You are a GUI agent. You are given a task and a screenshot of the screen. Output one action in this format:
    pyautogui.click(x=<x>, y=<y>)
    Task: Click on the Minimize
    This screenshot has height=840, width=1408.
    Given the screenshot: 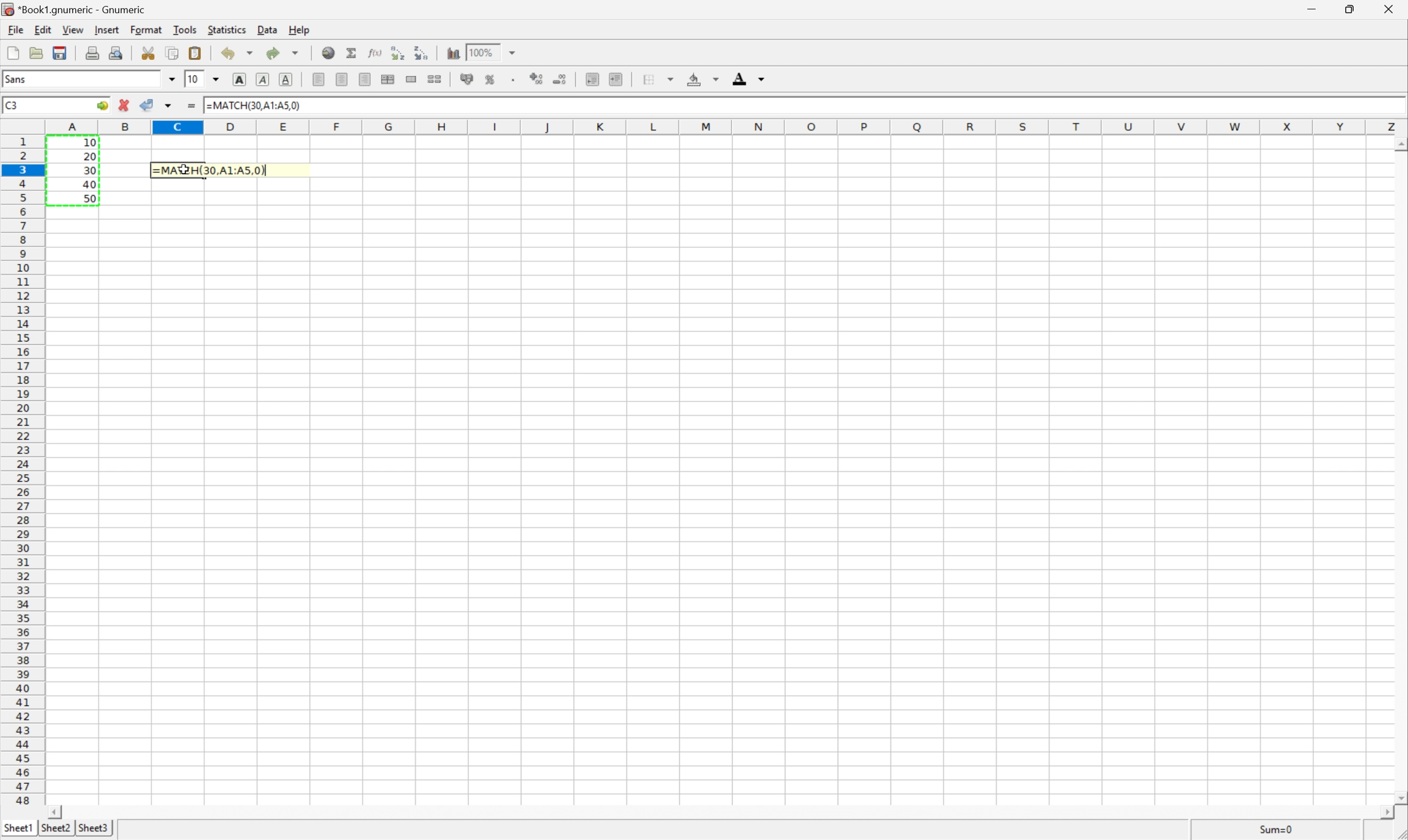 What is the action you would take?
    pyautogui.click(x=1313, y=10)
    